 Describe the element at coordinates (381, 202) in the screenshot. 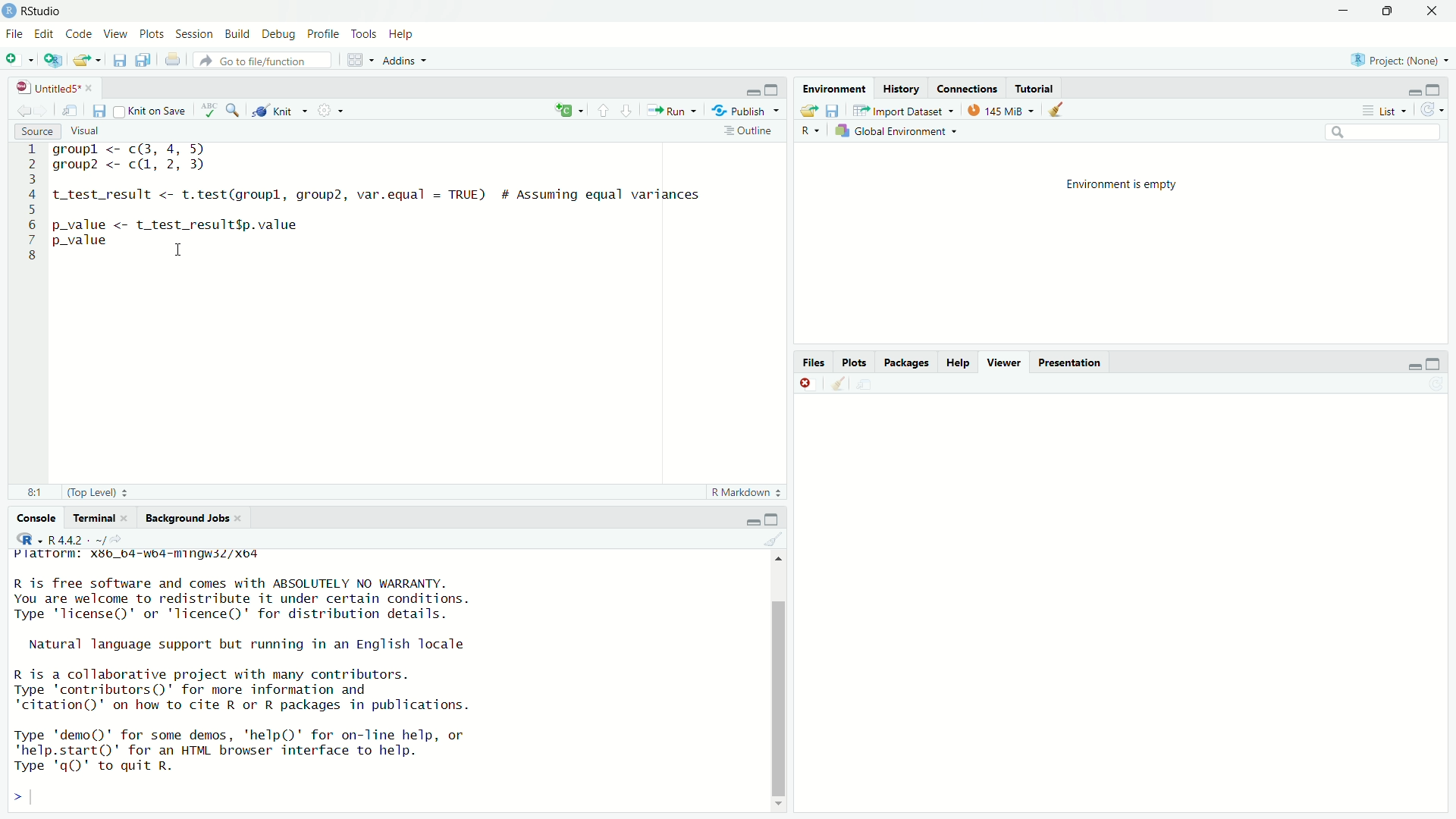

I see `groupl <- c(3, 4, >)
group? <- c(, 2, 3)

t_test_result <- t.test(groupl, group2, var.equal = TRUE) # Assuming equal variances
p_value <- t_test_result$p.value

p_value -` at that location.